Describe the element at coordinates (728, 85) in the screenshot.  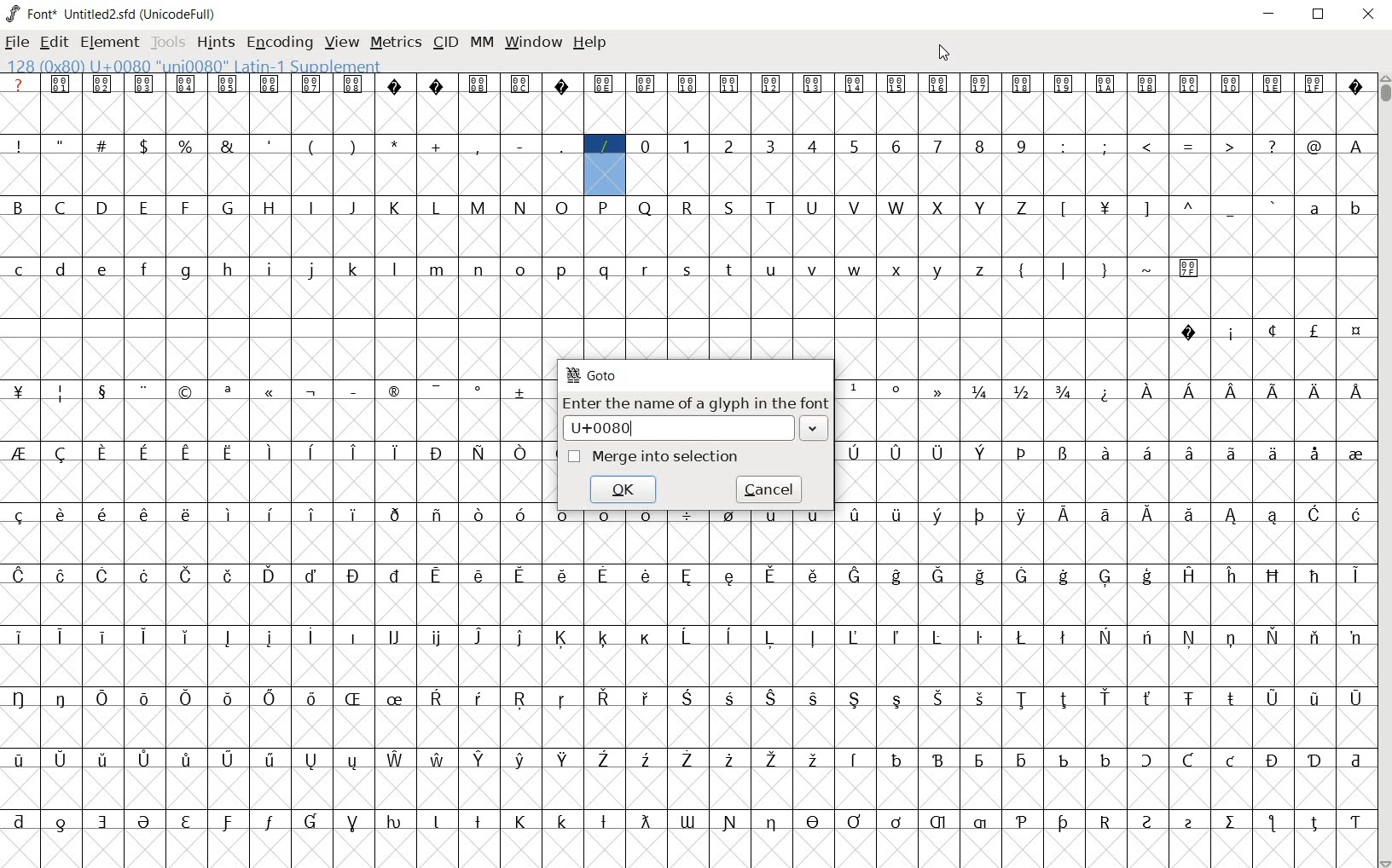
I see `glyph` at that location.